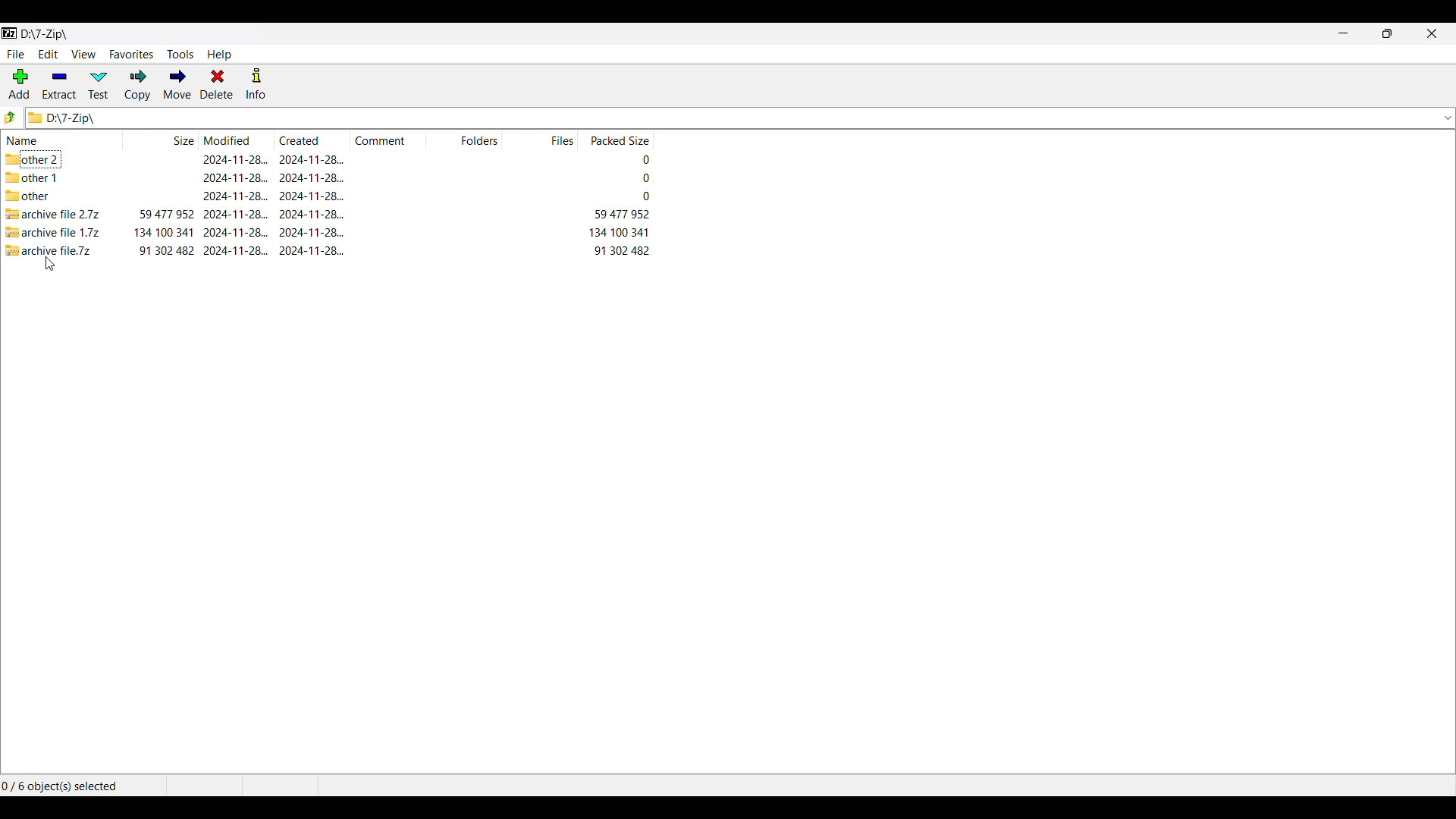  What do you see at coordinates (644, 177) in the screenshot?
I see `packed size` at bounding box center [644, 177].